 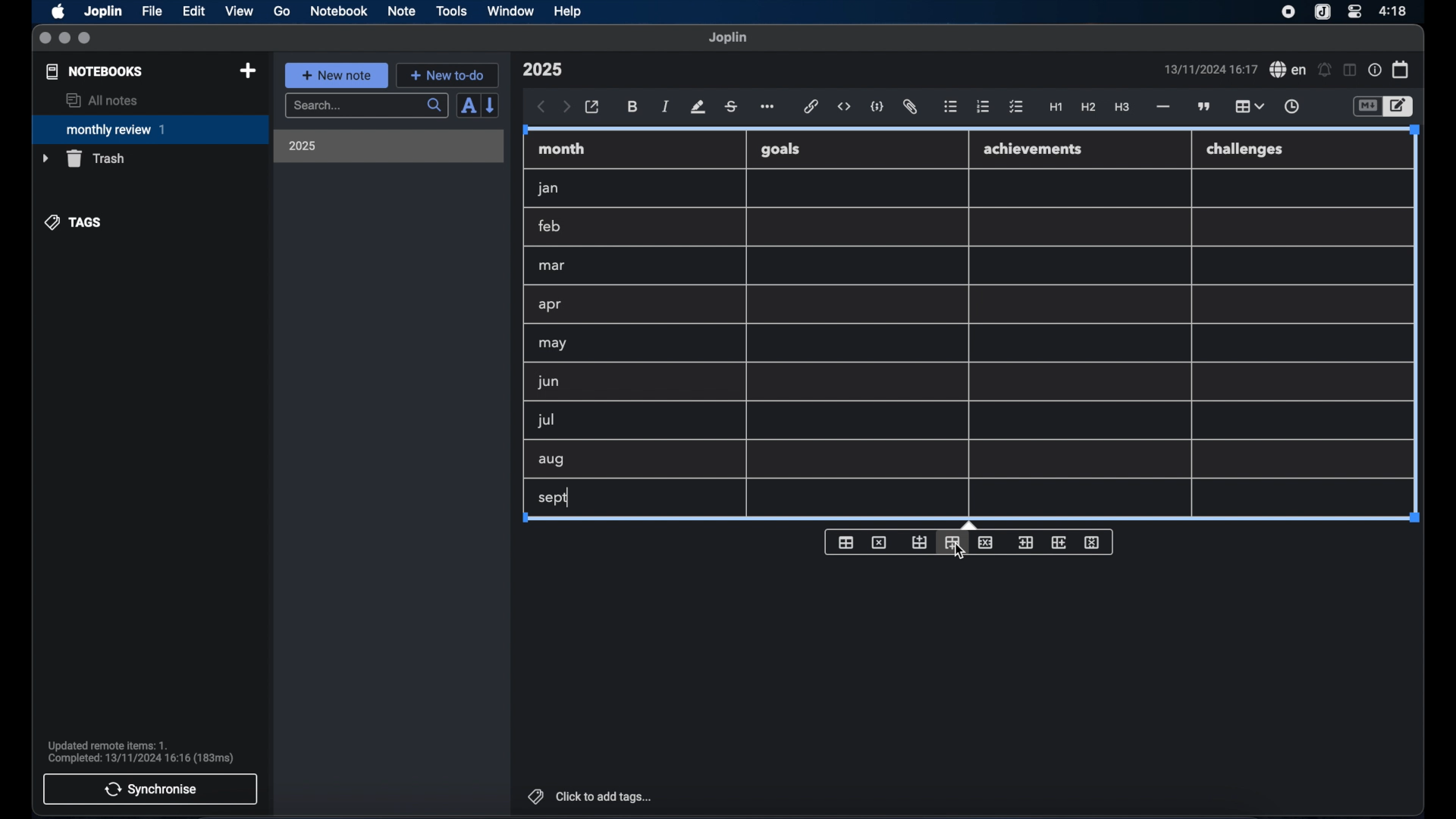 What do you see at coordinates (102, 100) in the screenshot?
I see `all notes` at bounding box center [102, 100].